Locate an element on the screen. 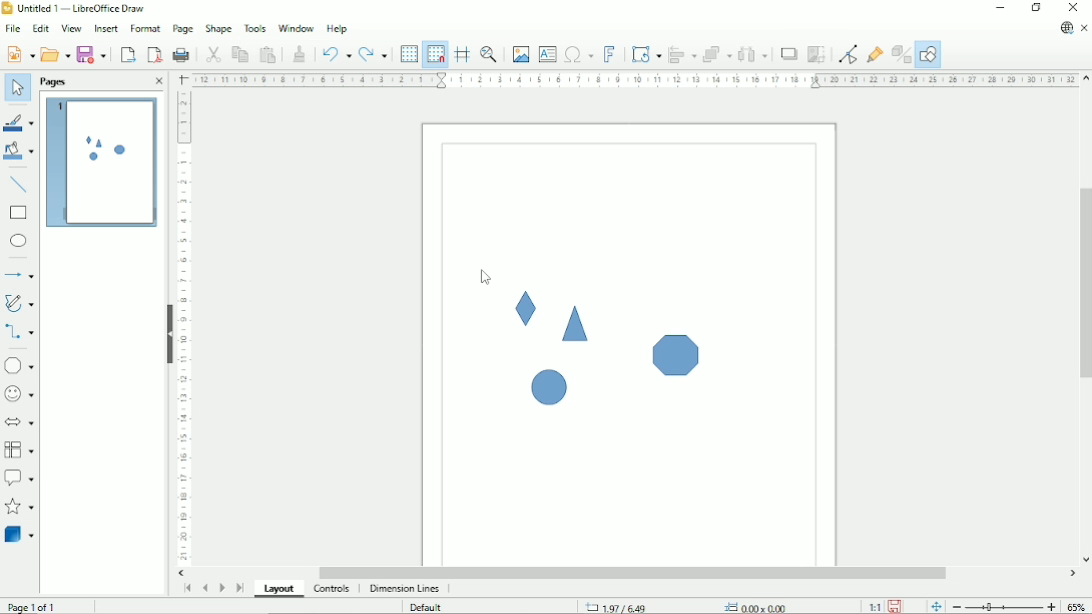 Image resolution: width=1092 pixels, height=614 pixels. Horizontal scroll button is located at coordinates (183, 572).